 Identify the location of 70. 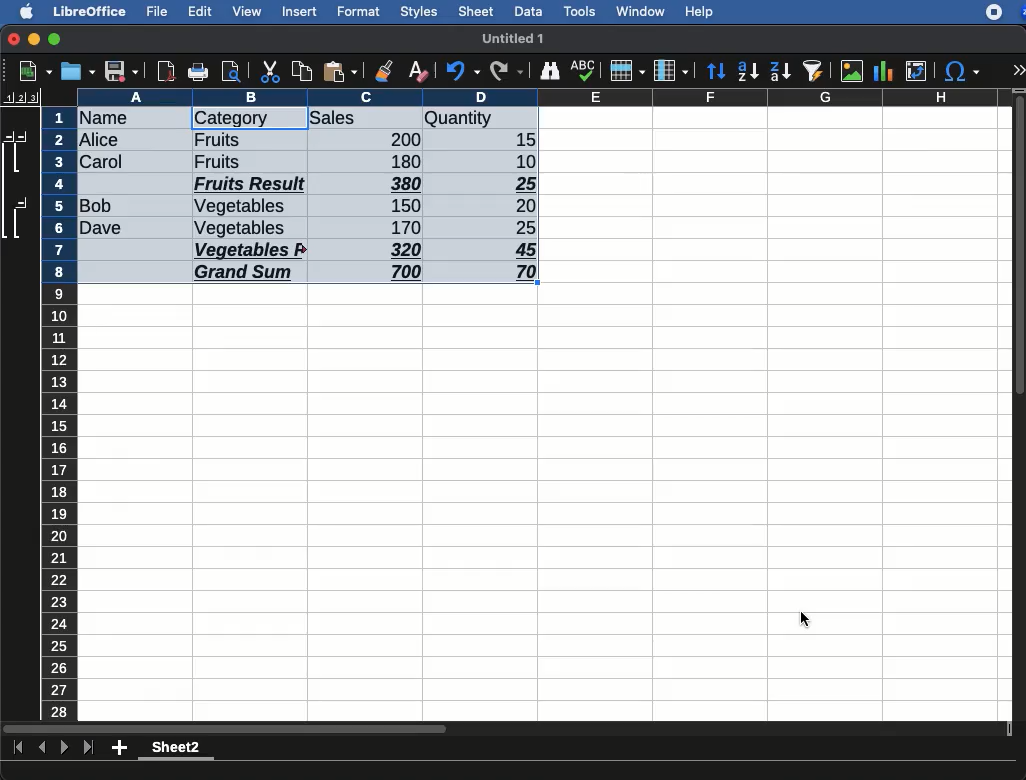
(525, 272).